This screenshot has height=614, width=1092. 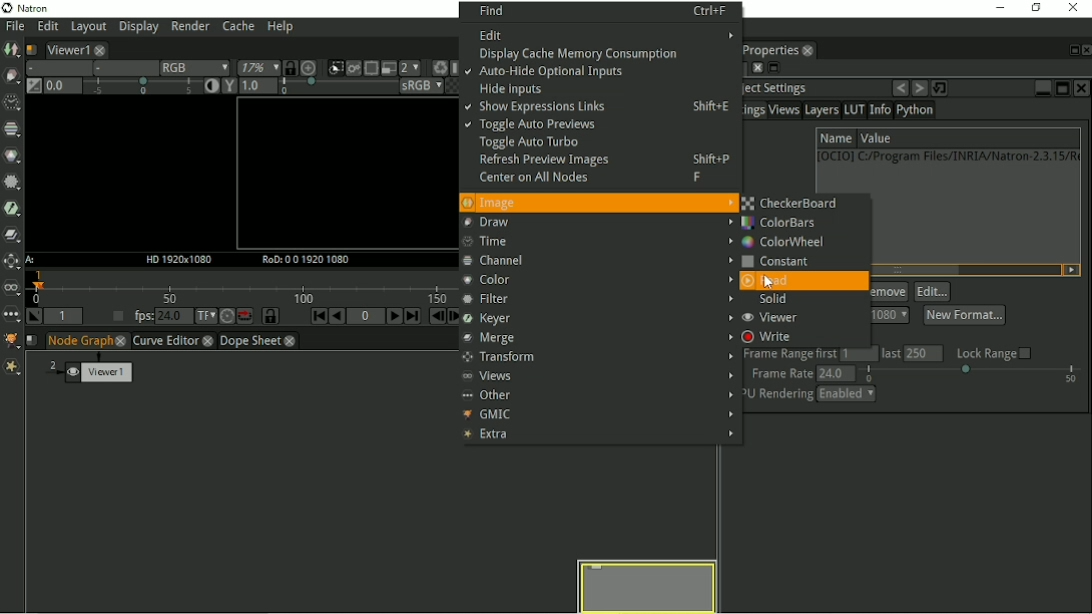 What do you see at coordinates (604, 179) in the screenshot?
I see `Center on all nodes` at bounding box center [604, 179].